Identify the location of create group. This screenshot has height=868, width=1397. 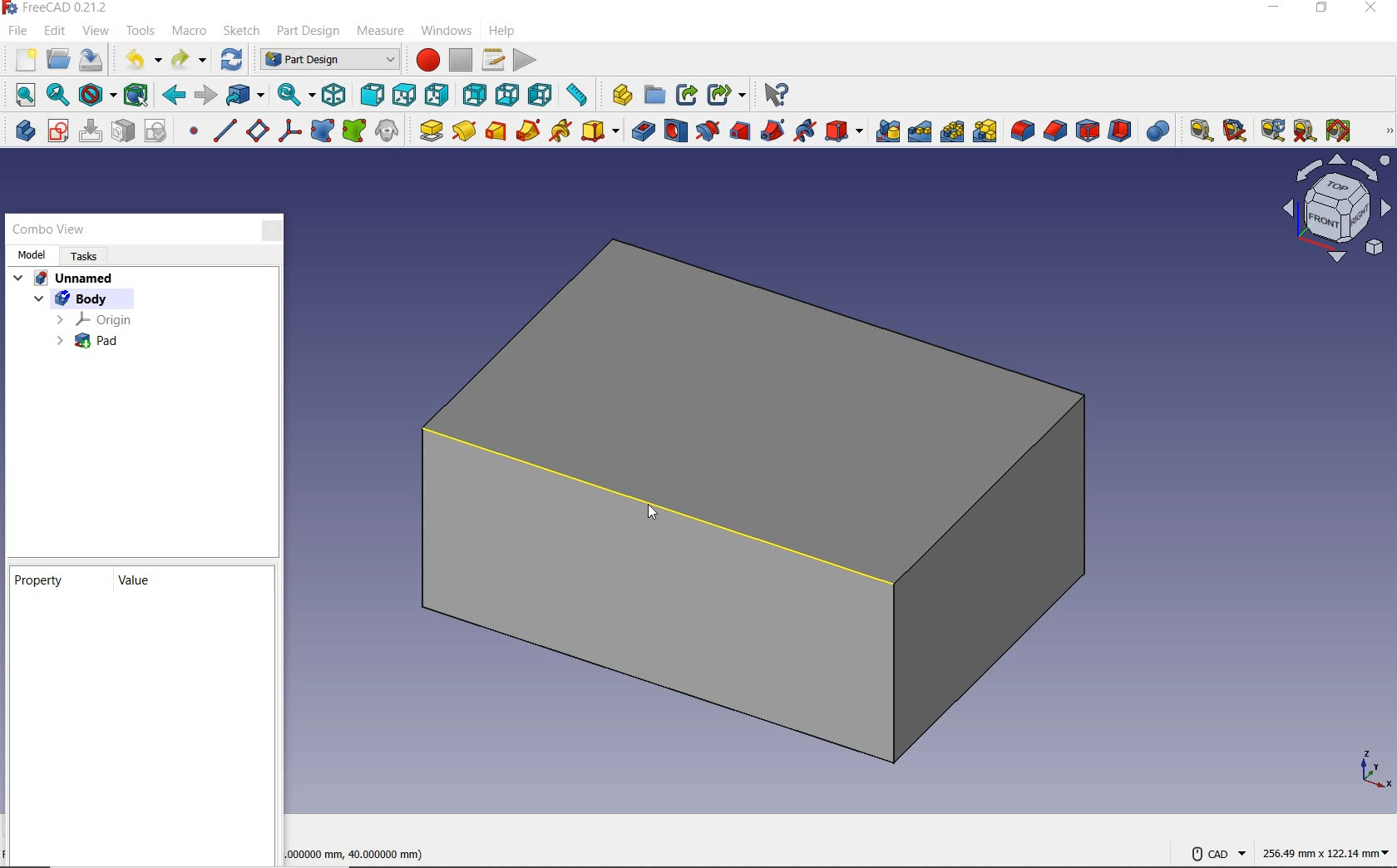
(653, 96).